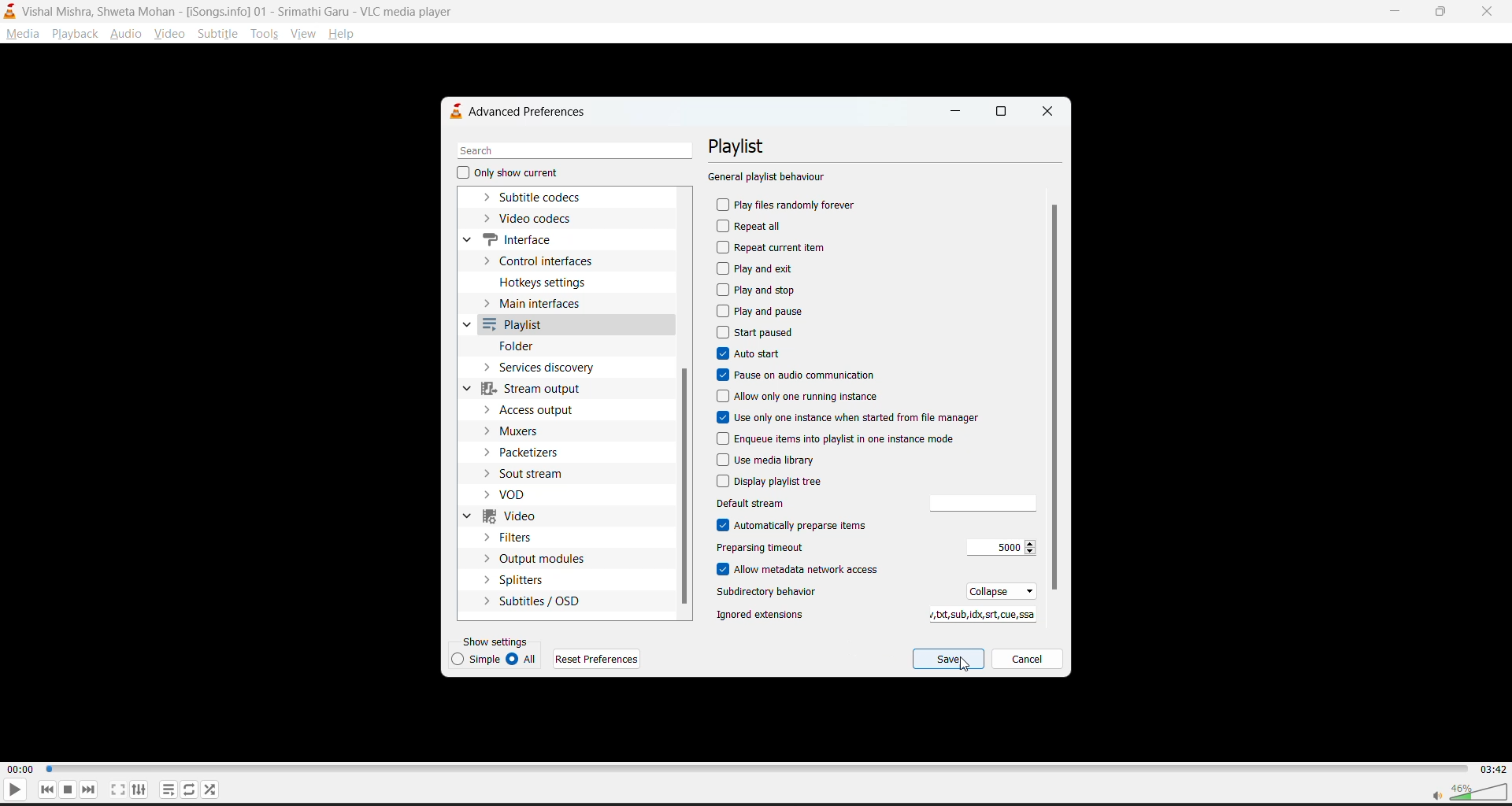 The height and width of the screenshot is (806, 1512). Describe the element at coordinates (761, 312) in the screenshot. I see `play and pause` at that location.